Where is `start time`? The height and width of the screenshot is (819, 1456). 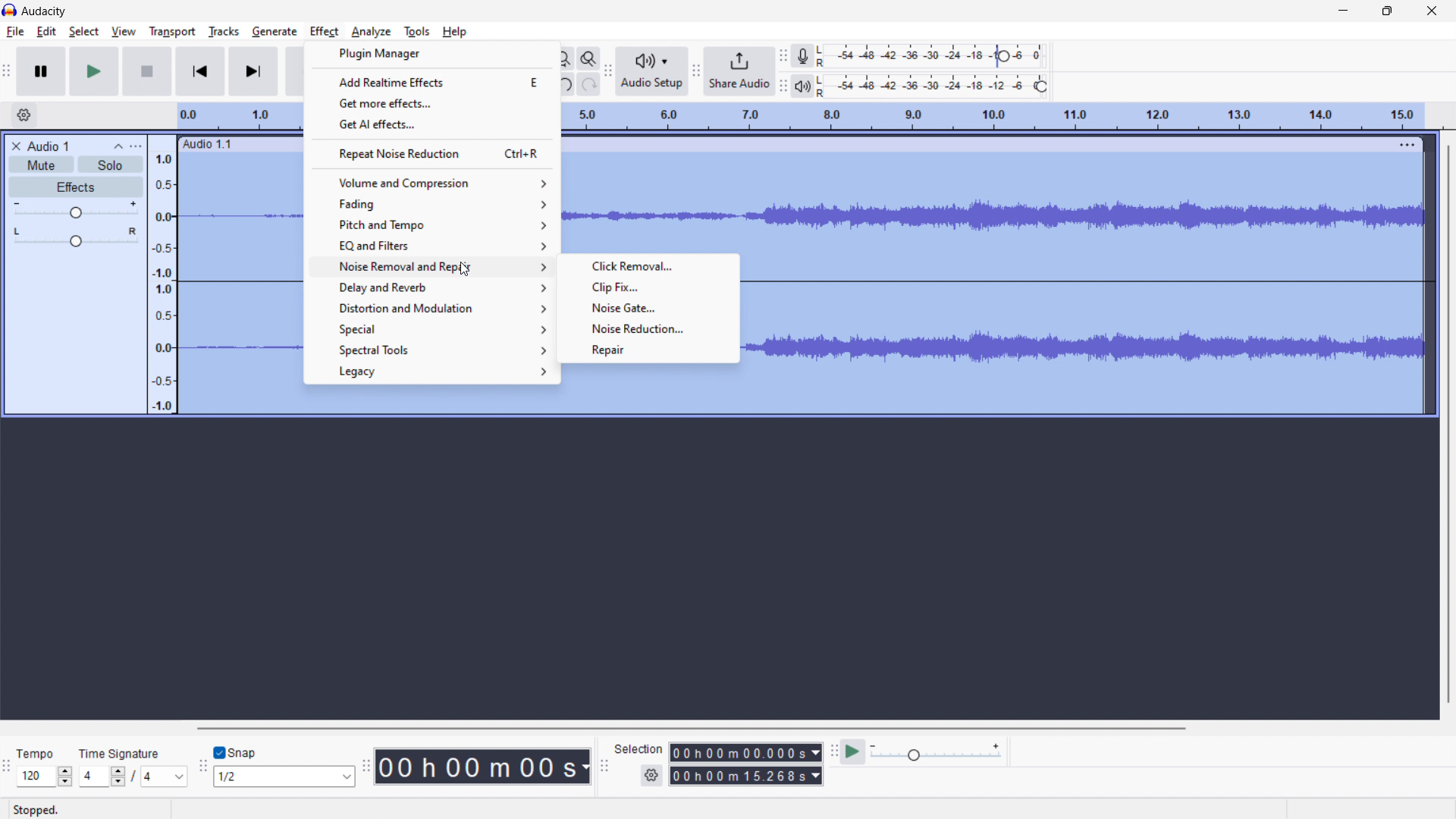
start time is located at coordinates (746, 752).